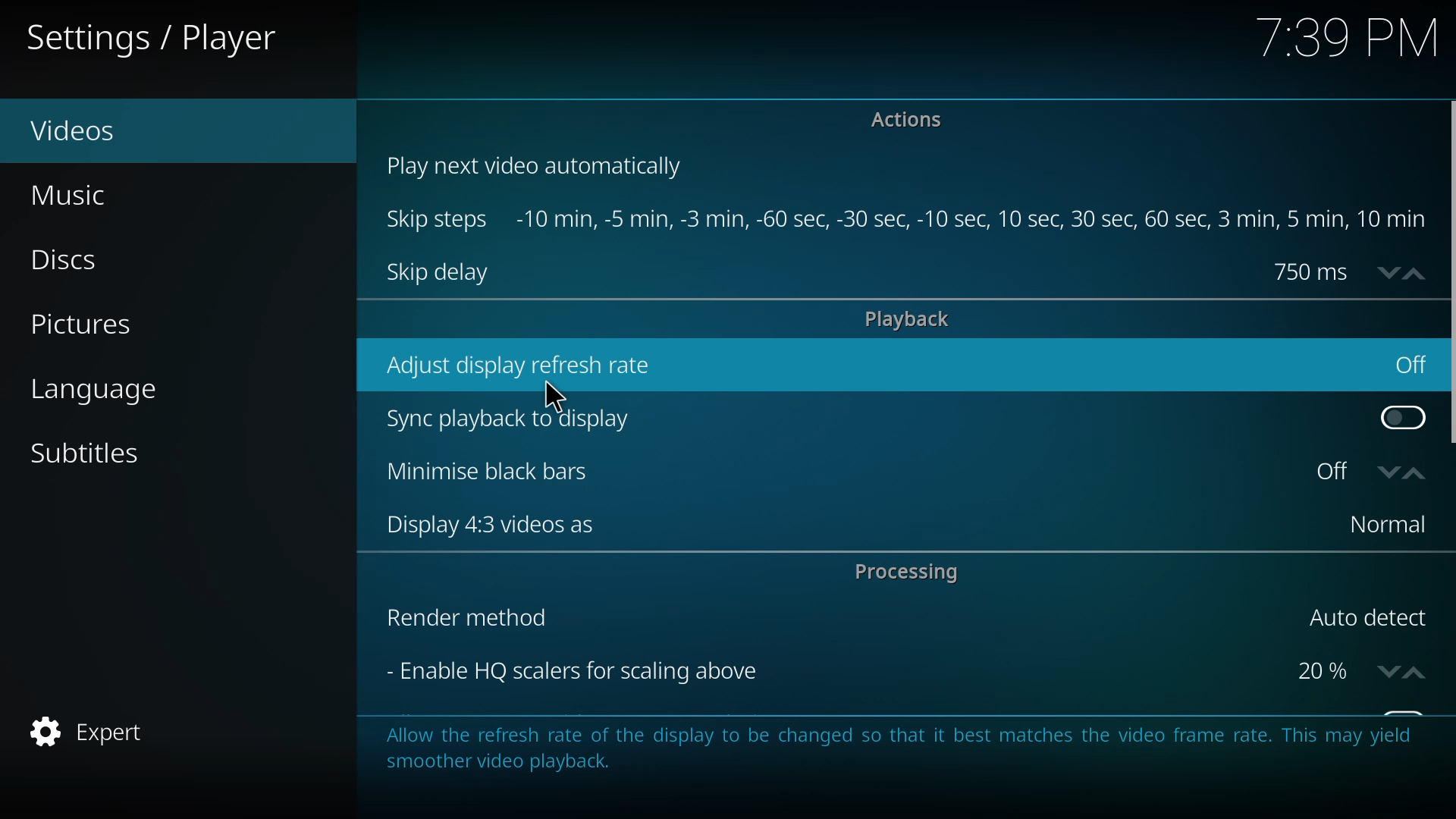 This screenshot has height=819, width=1456. Describe the element at coordinates (567, 670) in the screenshot. I see `enable hq scalers` at that location.